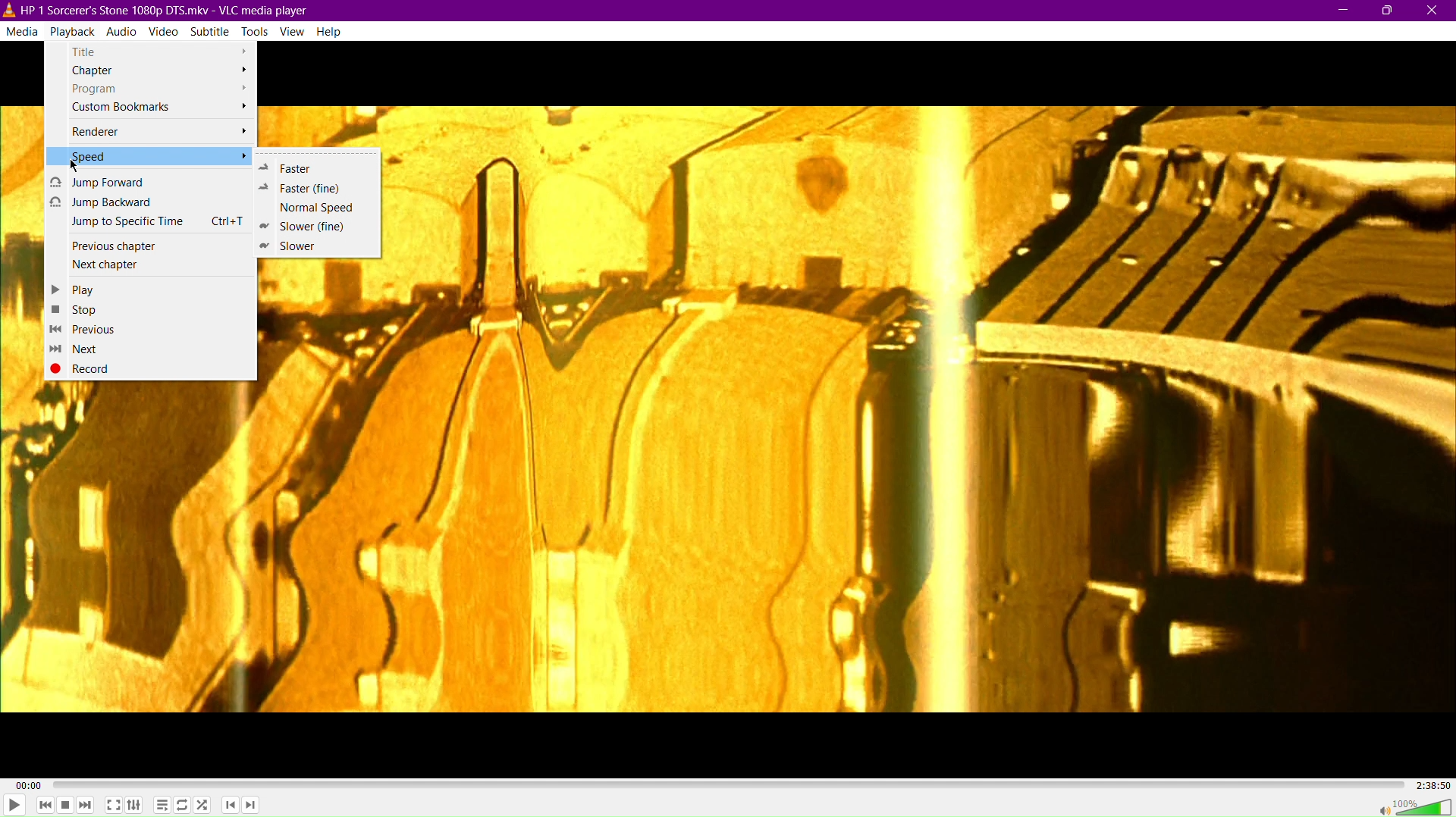  I want to click on Slower, so click(302, 246).